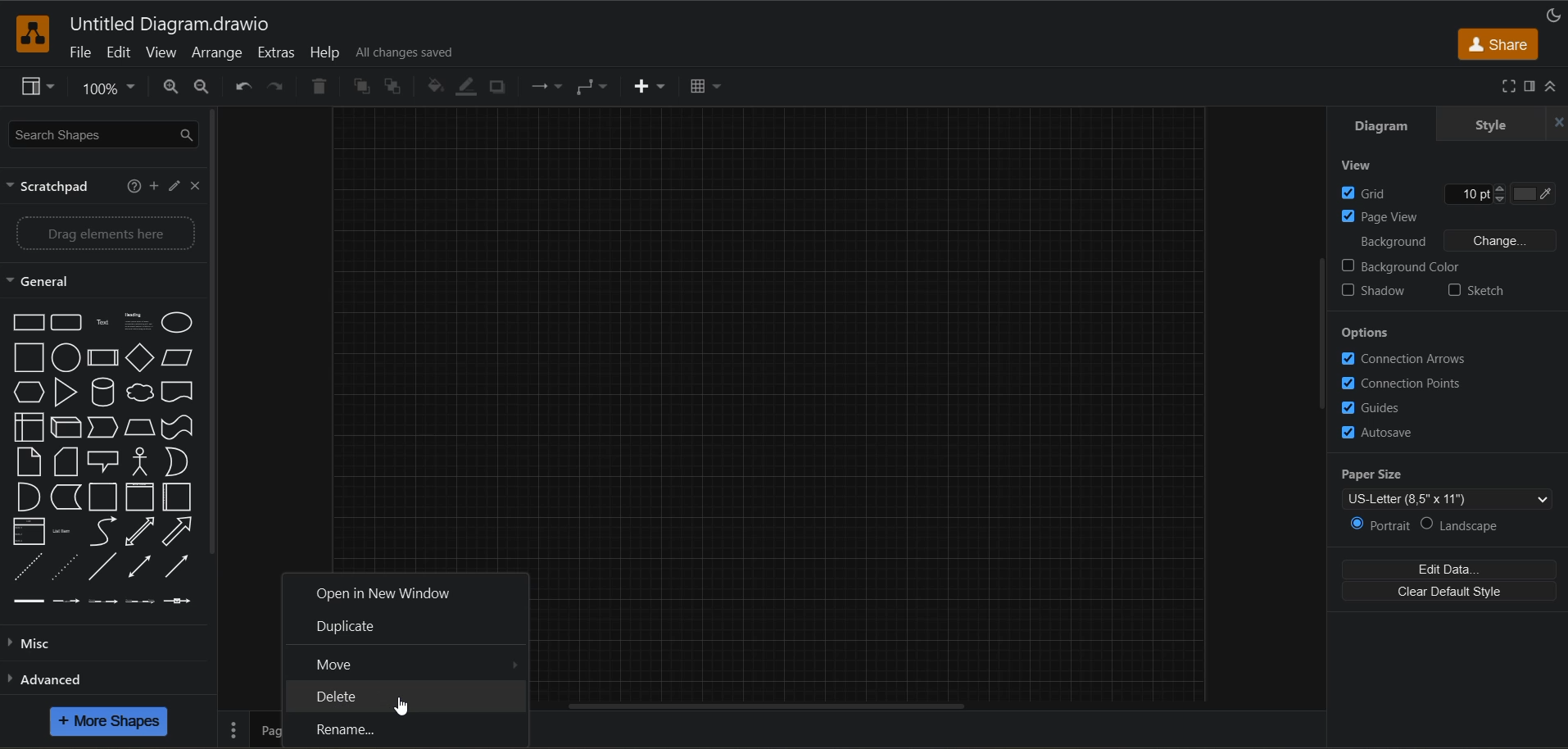 This screenshot has width=1568, height=749. I want to click on extras, so click(278, 53).